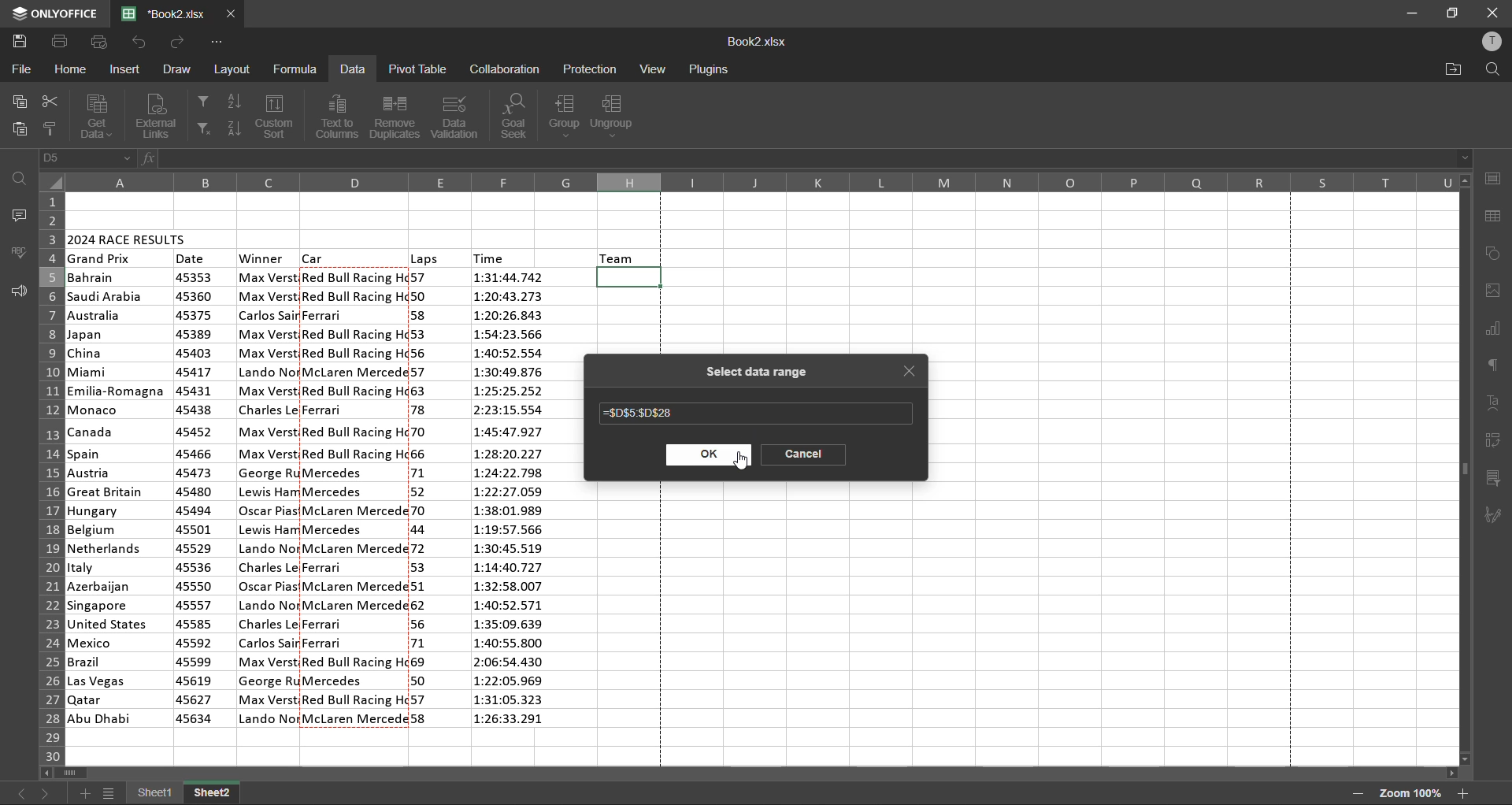  I want to click on signature, so click(1496, 516).